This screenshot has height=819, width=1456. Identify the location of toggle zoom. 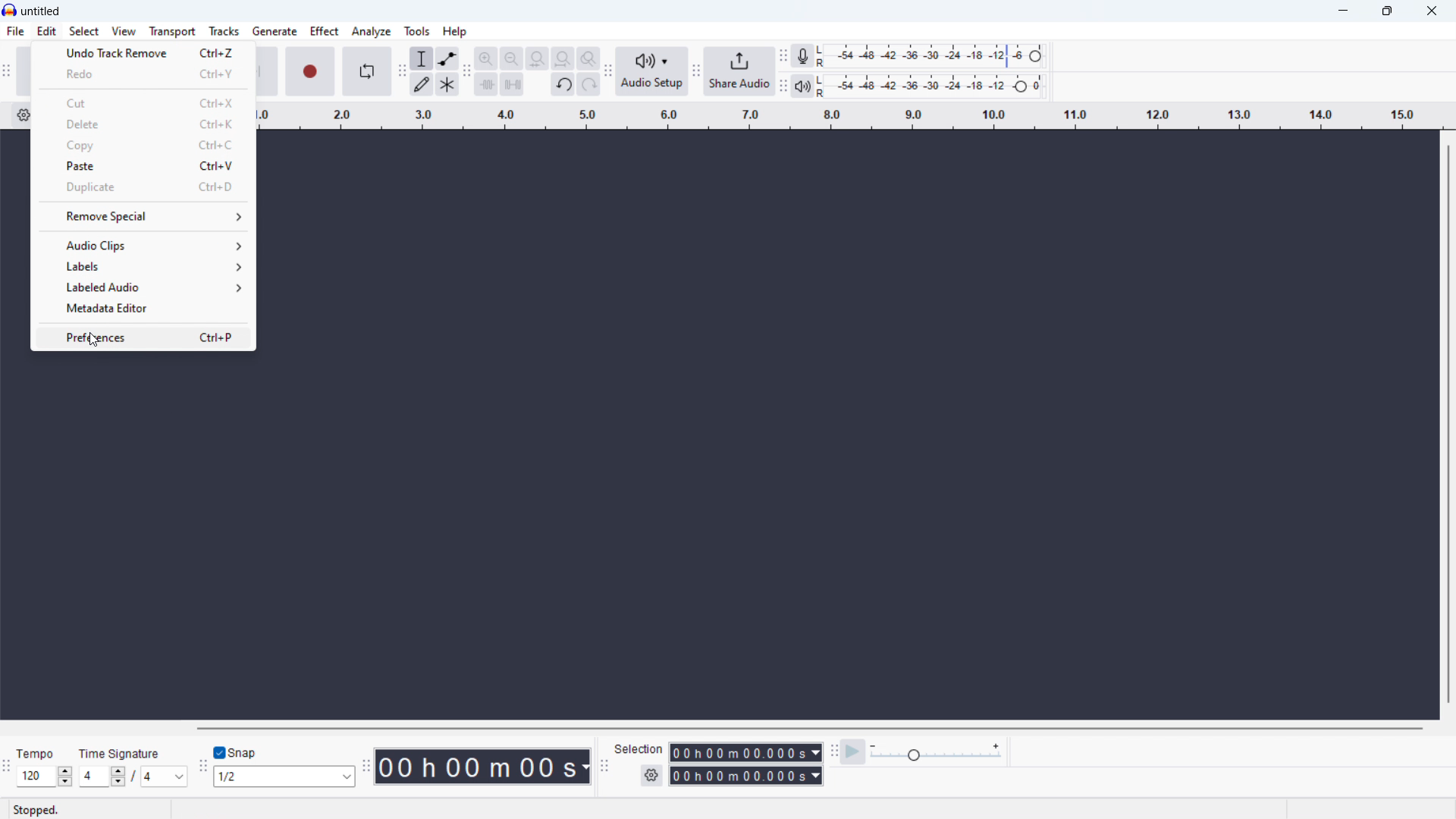
(588, 58).